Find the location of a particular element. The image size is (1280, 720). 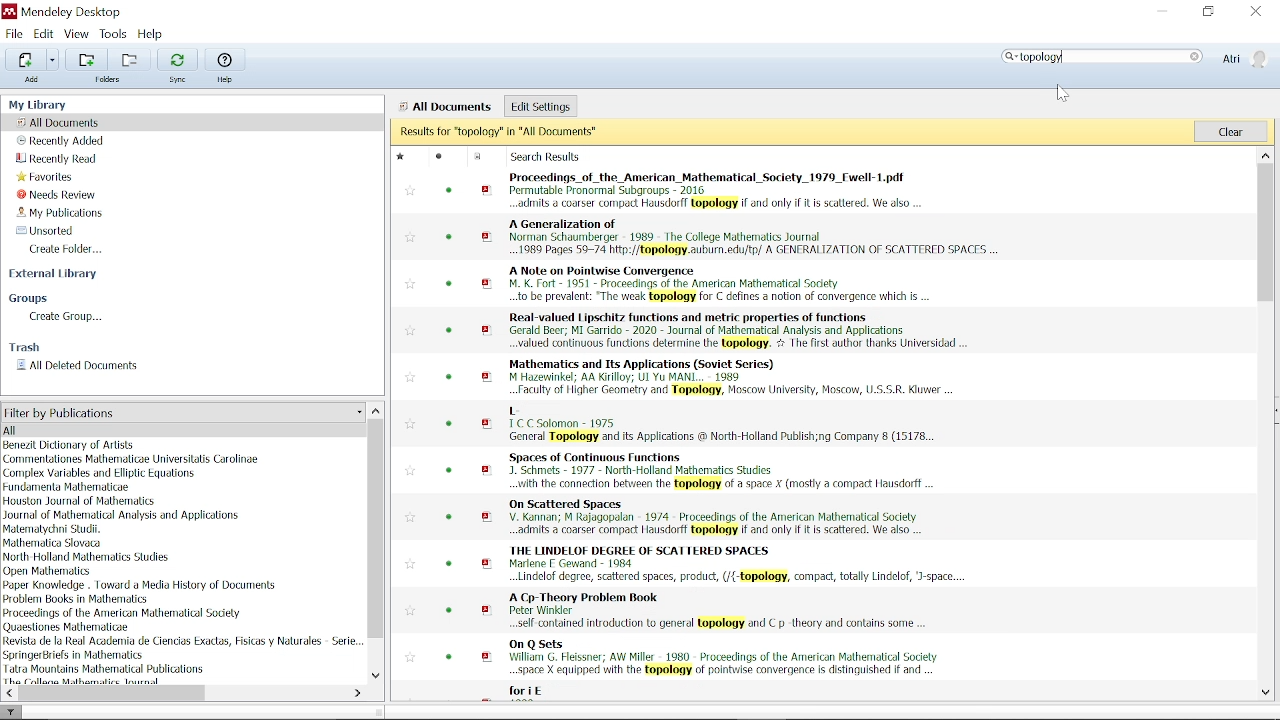

add is located at coordinates (33, 80).